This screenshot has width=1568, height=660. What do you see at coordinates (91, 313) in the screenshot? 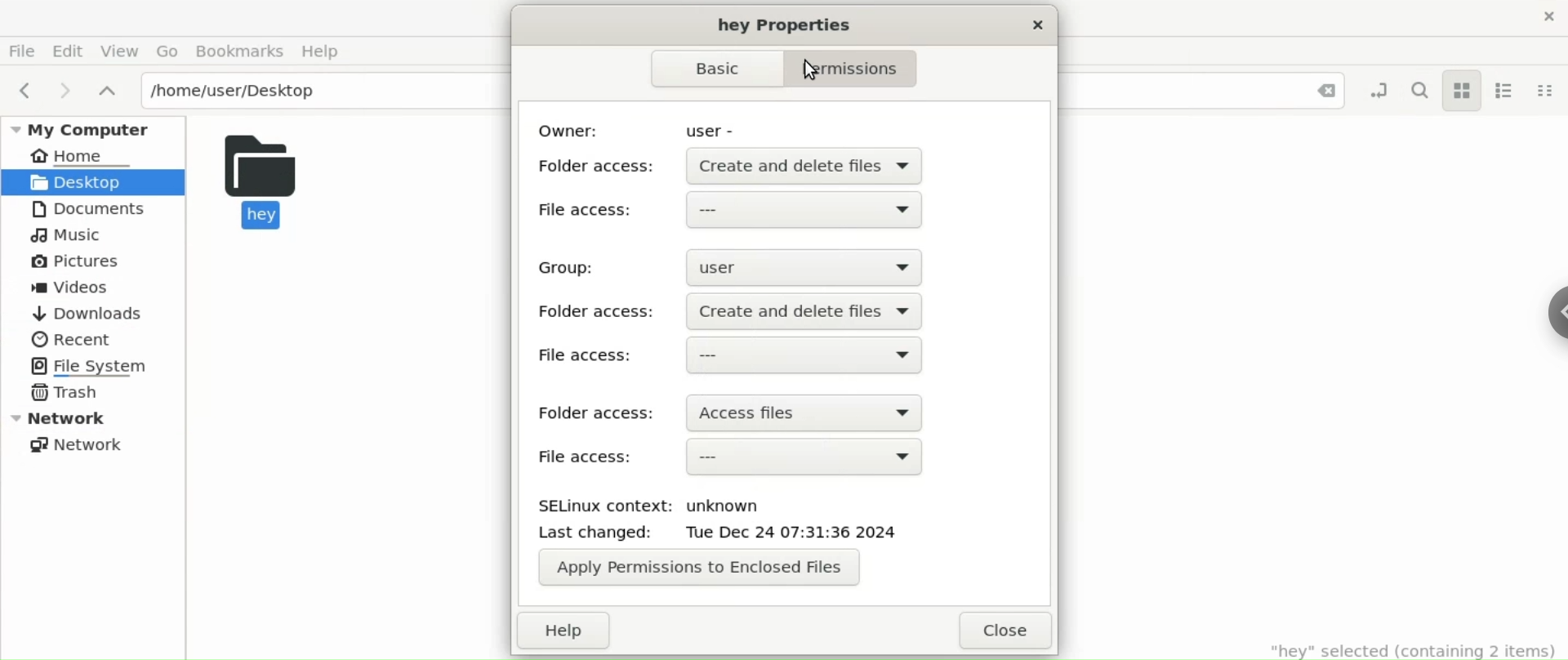
I see `Downloads` at bounding box center [91, 313].